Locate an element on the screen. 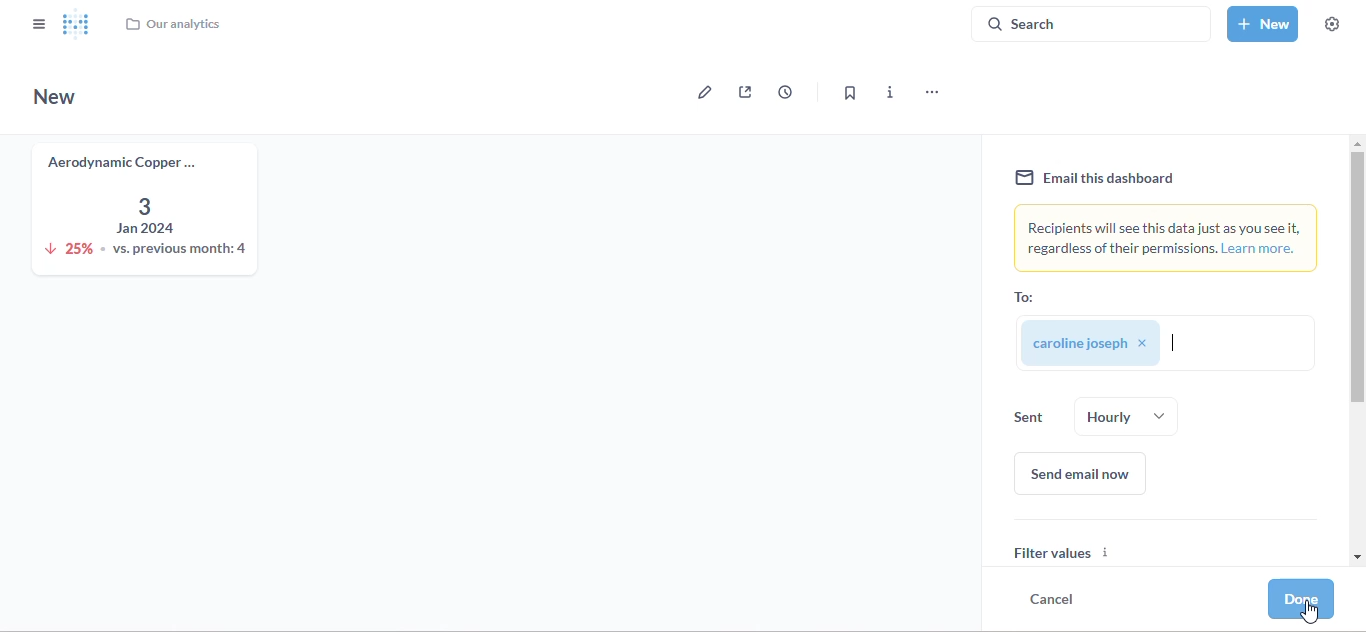 The height and width of the screenshot is (632, 1366). close sidebar is located at coordinates (39, 23).